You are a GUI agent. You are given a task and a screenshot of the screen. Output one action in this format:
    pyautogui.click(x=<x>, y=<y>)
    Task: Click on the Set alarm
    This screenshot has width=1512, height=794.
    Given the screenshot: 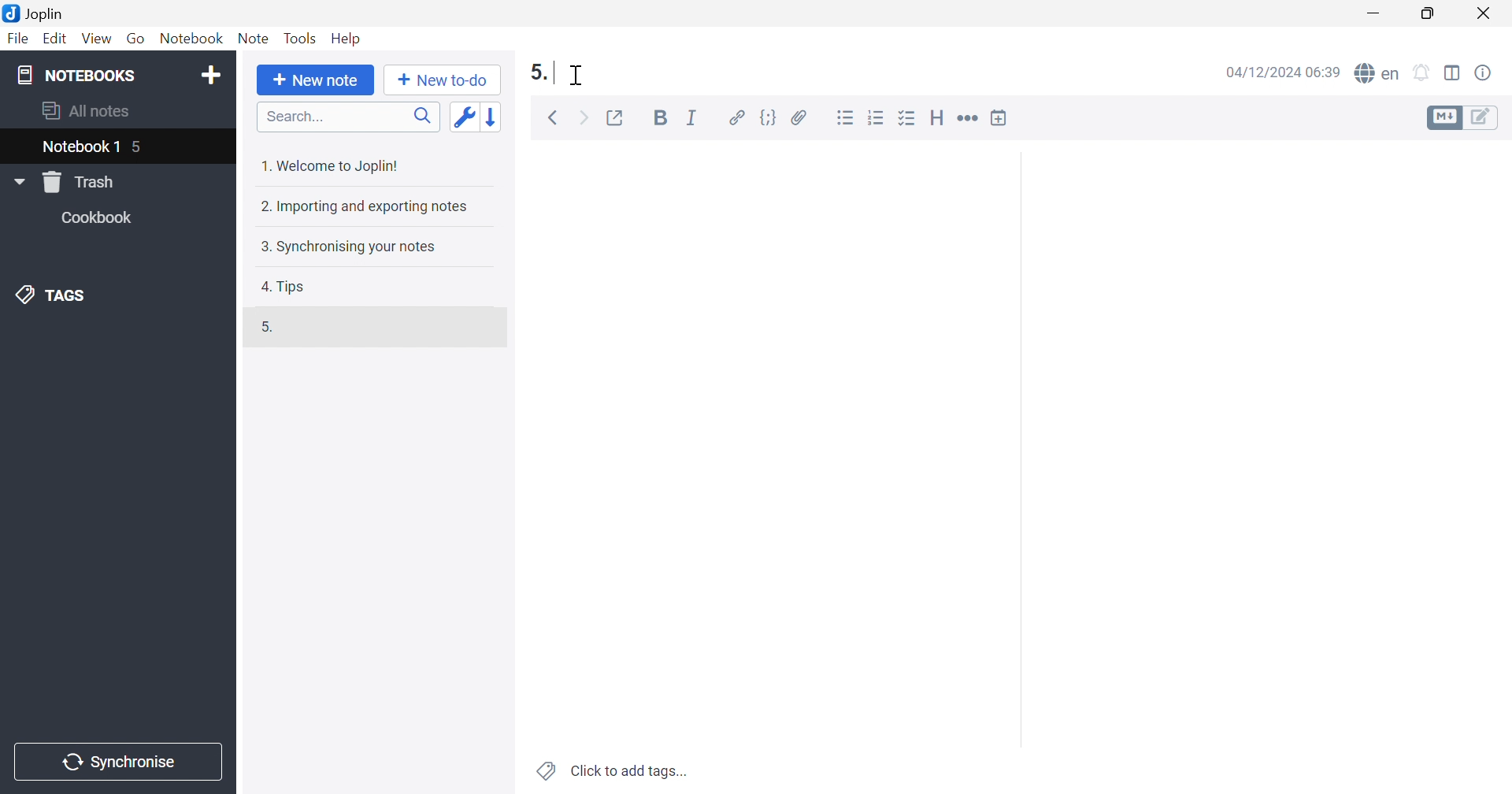 What is the action you would take?
    pyautogui.click(x=1425, y=71)
    